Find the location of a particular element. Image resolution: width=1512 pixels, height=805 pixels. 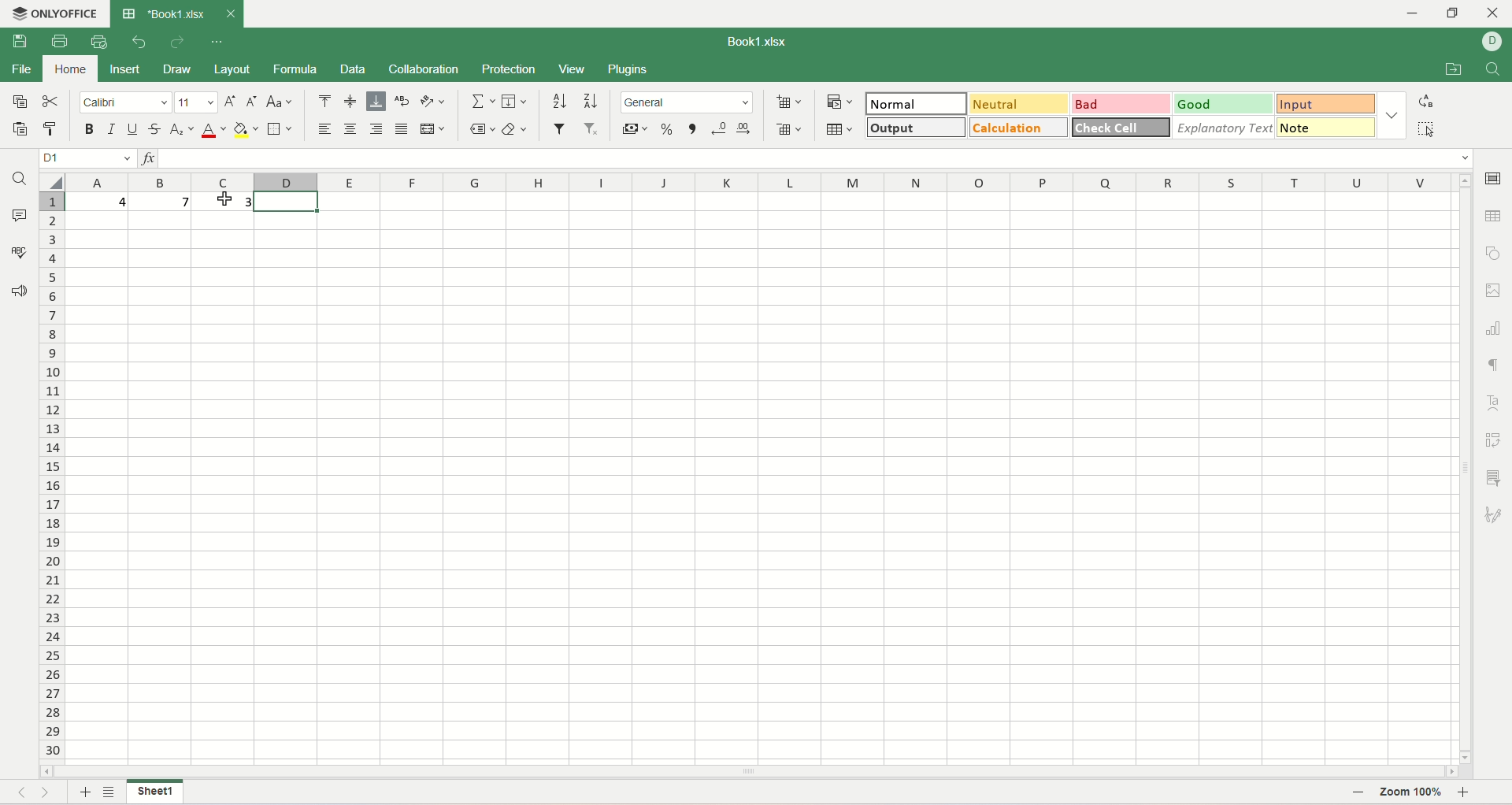

view is located at coordinates (572, 71).